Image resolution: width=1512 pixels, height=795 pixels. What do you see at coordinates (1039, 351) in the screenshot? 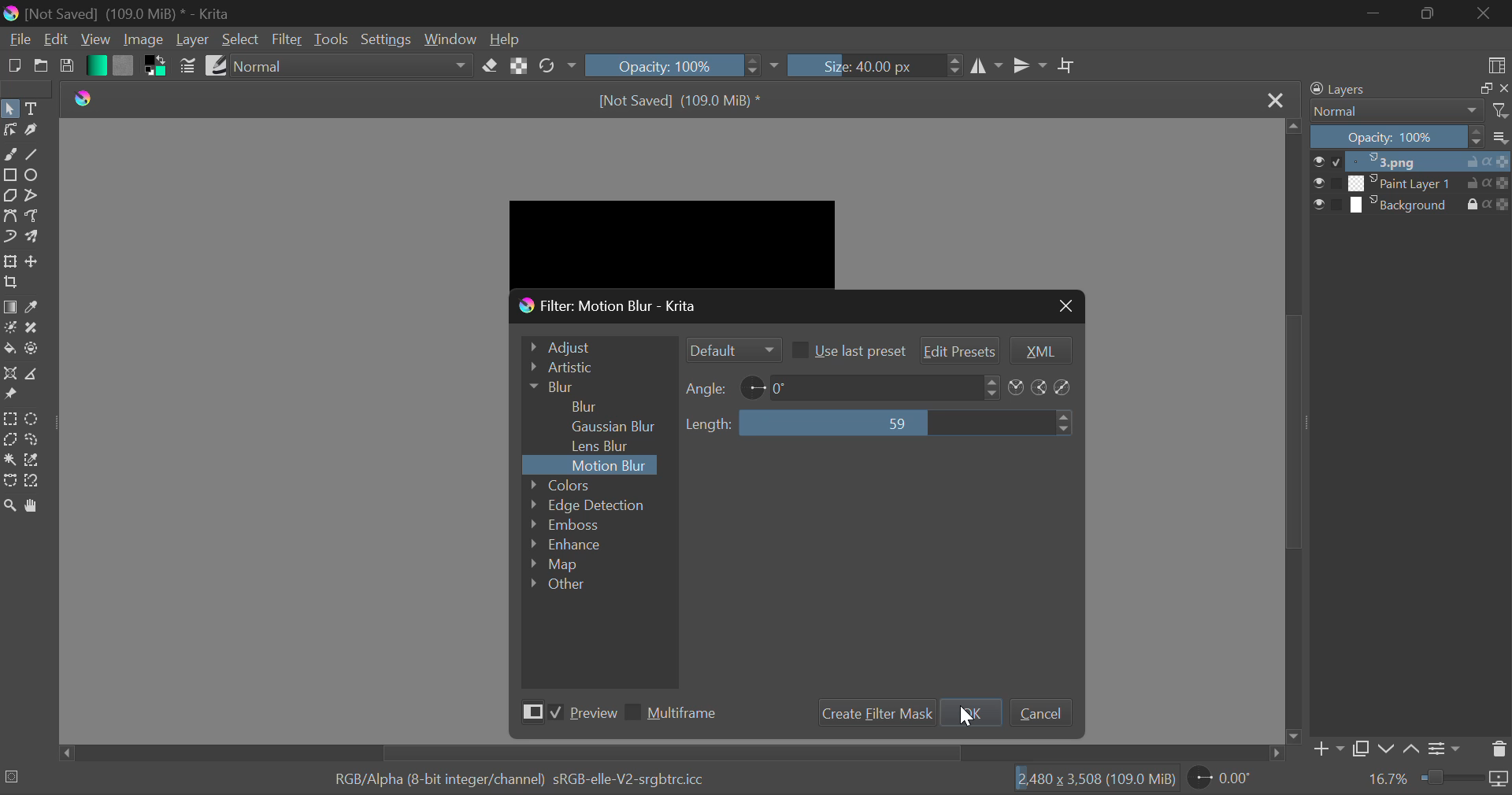
I see `XML` at bounding box center [1039, 351].